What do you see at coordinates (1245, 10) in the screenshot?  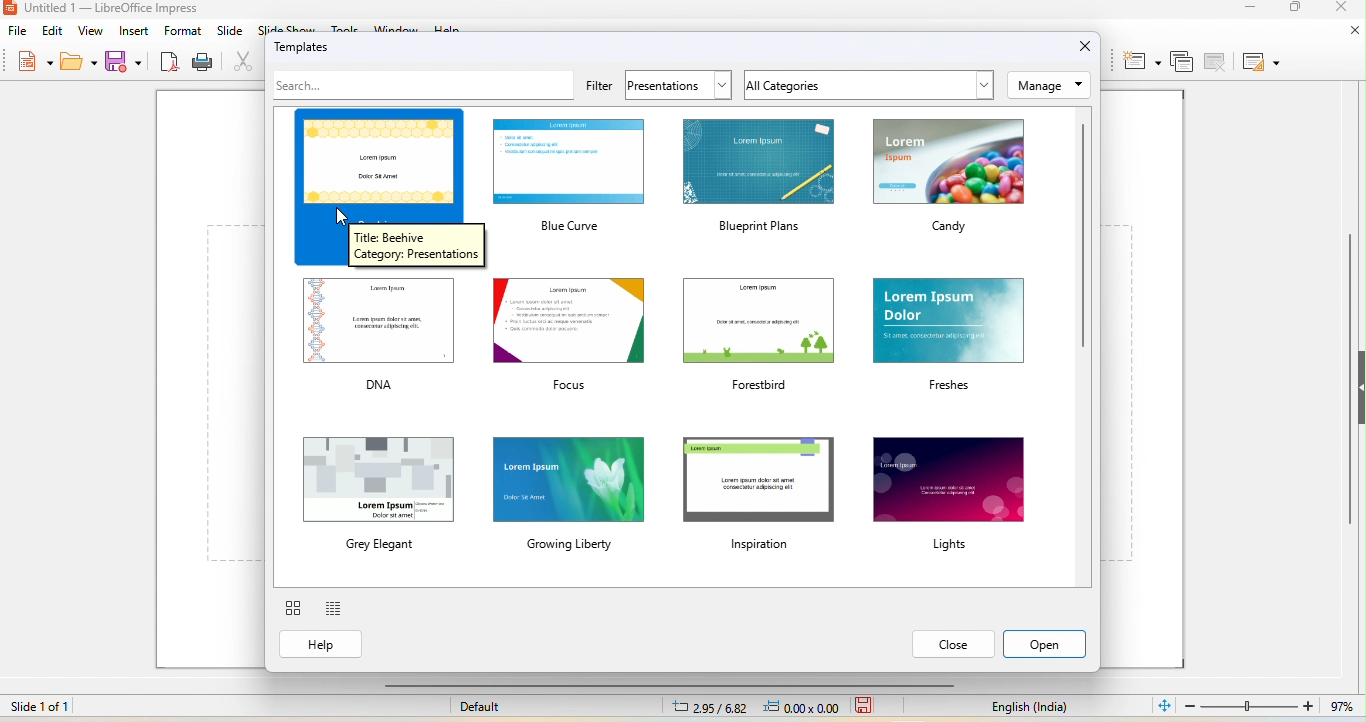 I see `minimize` at bounding box center [1245, 10].